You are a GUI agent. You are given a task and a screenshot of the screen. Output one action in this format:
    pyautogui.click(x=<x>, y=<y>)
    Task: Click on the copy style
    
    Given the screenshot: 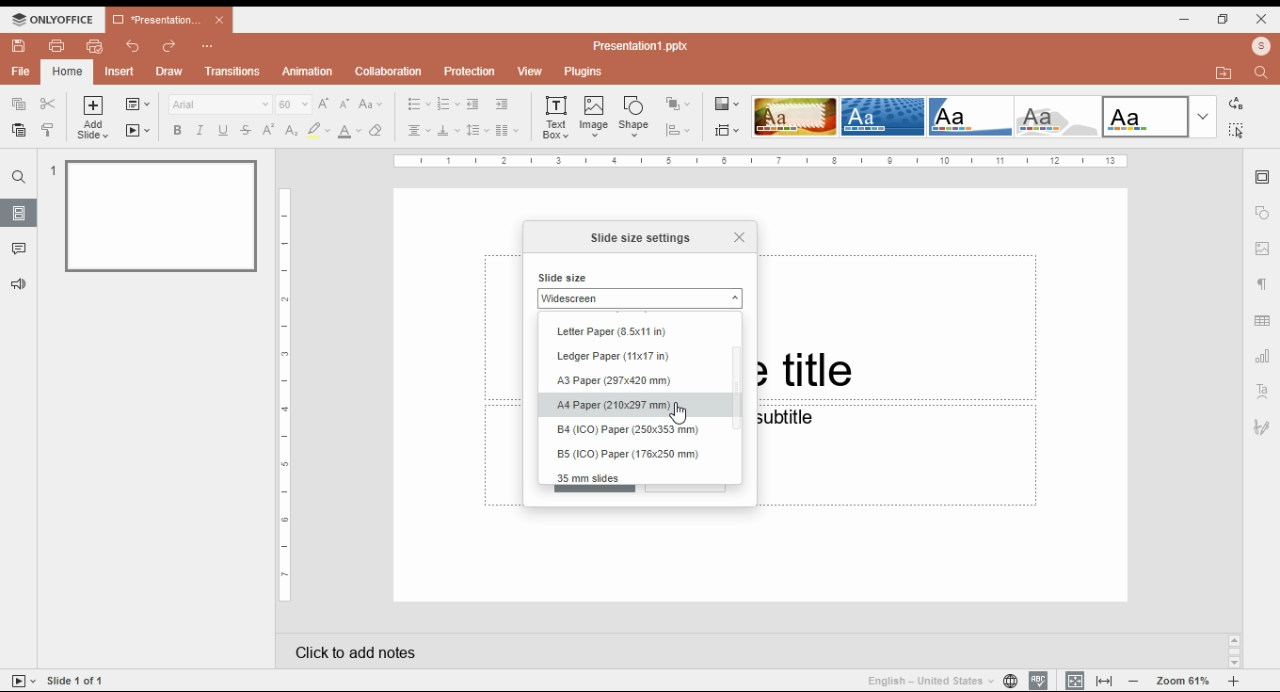 What is the action you would take?
    pyautogui.click(x=50, y=129)
    